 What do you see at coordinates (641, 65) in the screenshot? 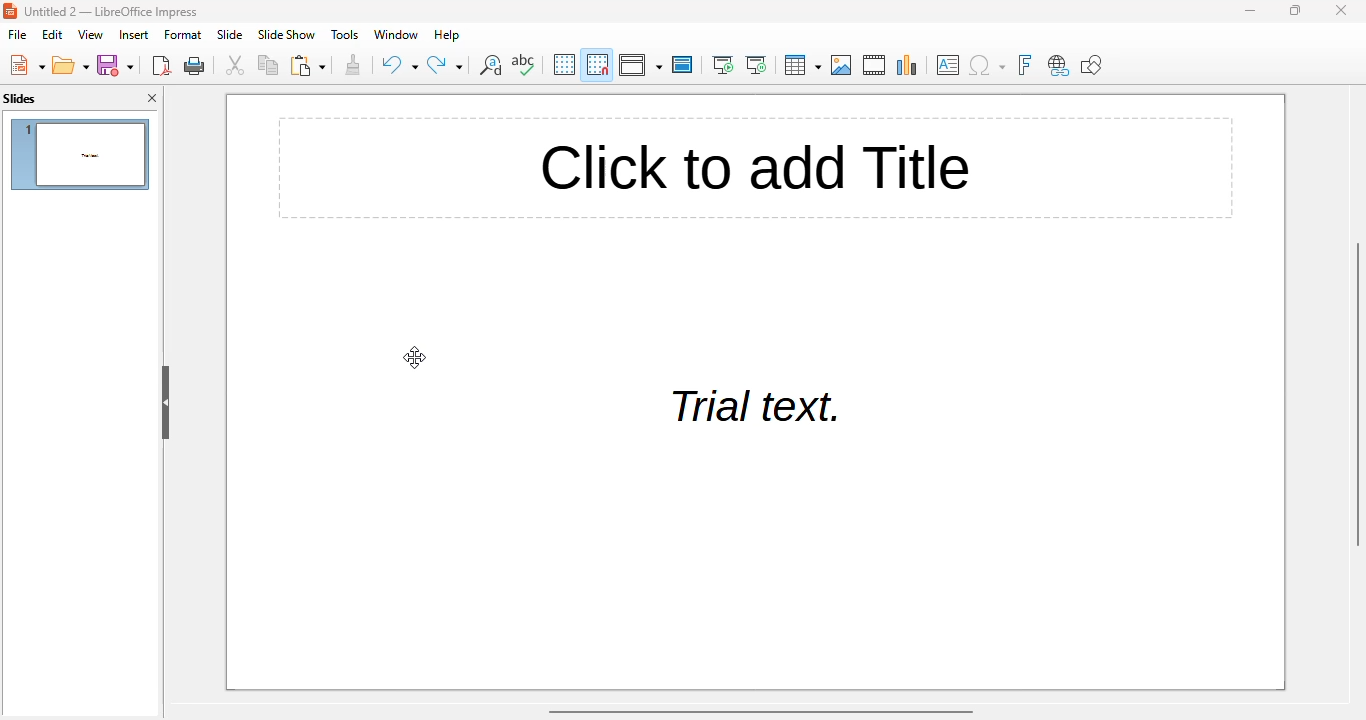
I see `display views` at bounding box center [641, 65].